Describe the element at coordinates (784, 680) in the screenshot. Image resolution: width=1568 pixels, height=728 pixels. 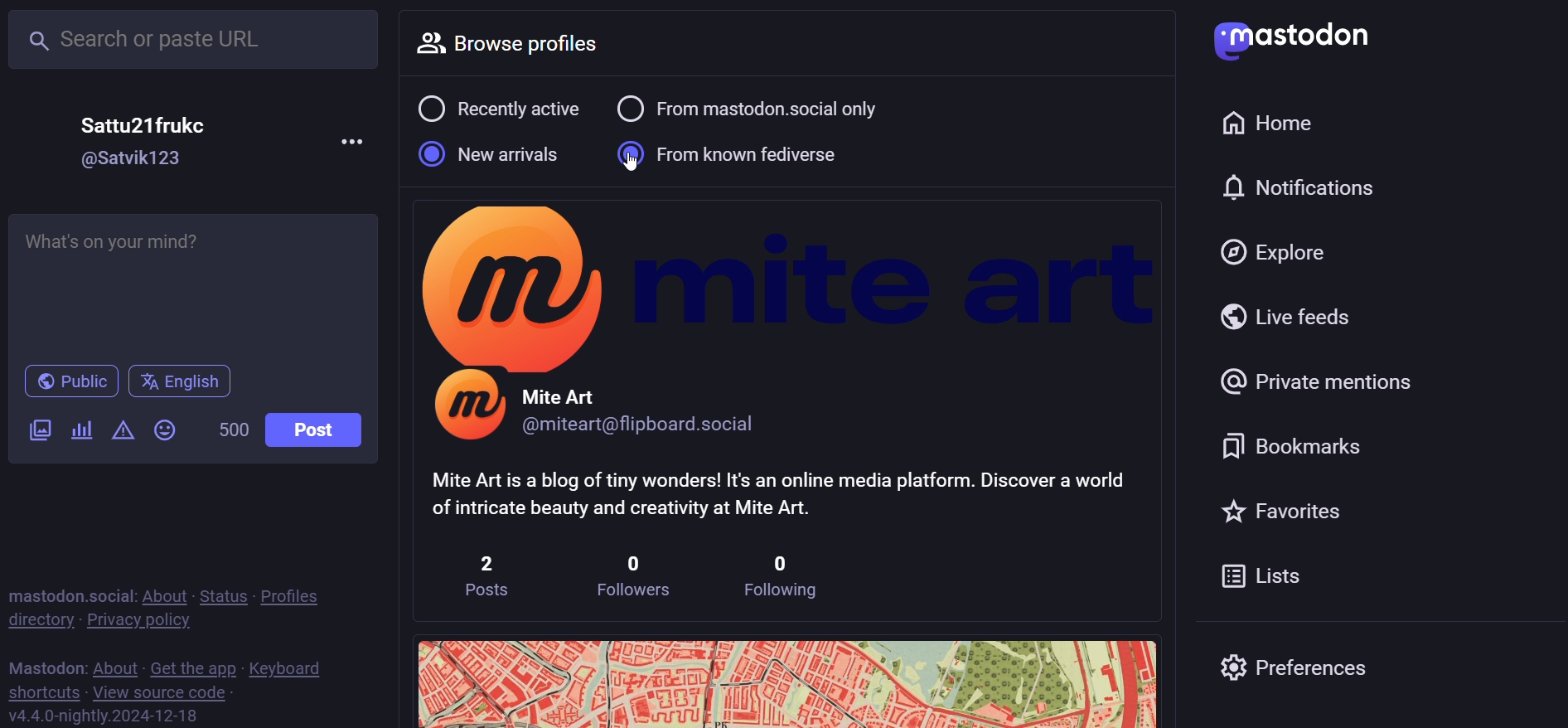
I see `image ` at that location.